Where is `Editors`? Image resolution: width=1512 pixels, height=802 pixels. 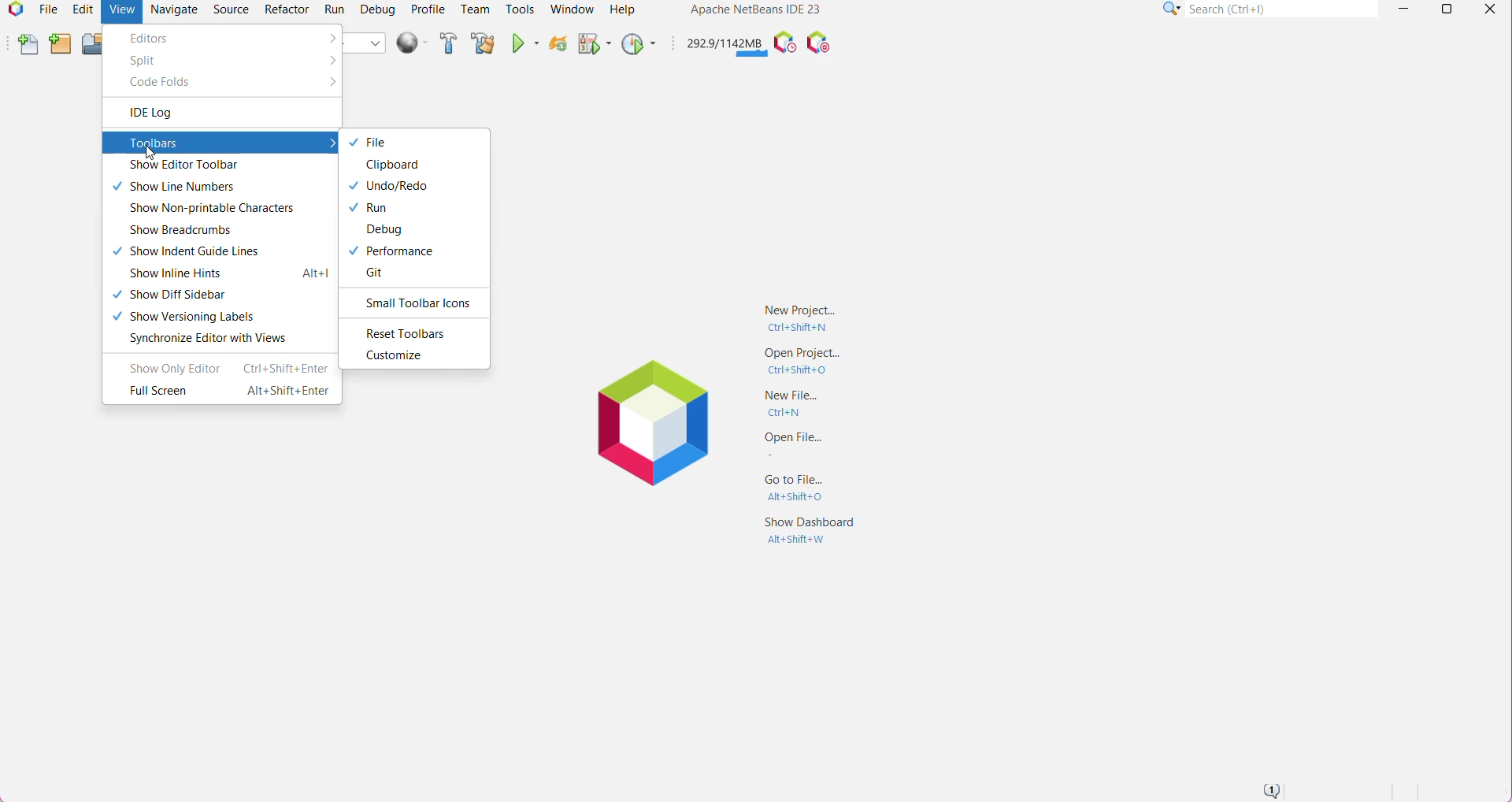 Editors is located at coordinates (156, 38).